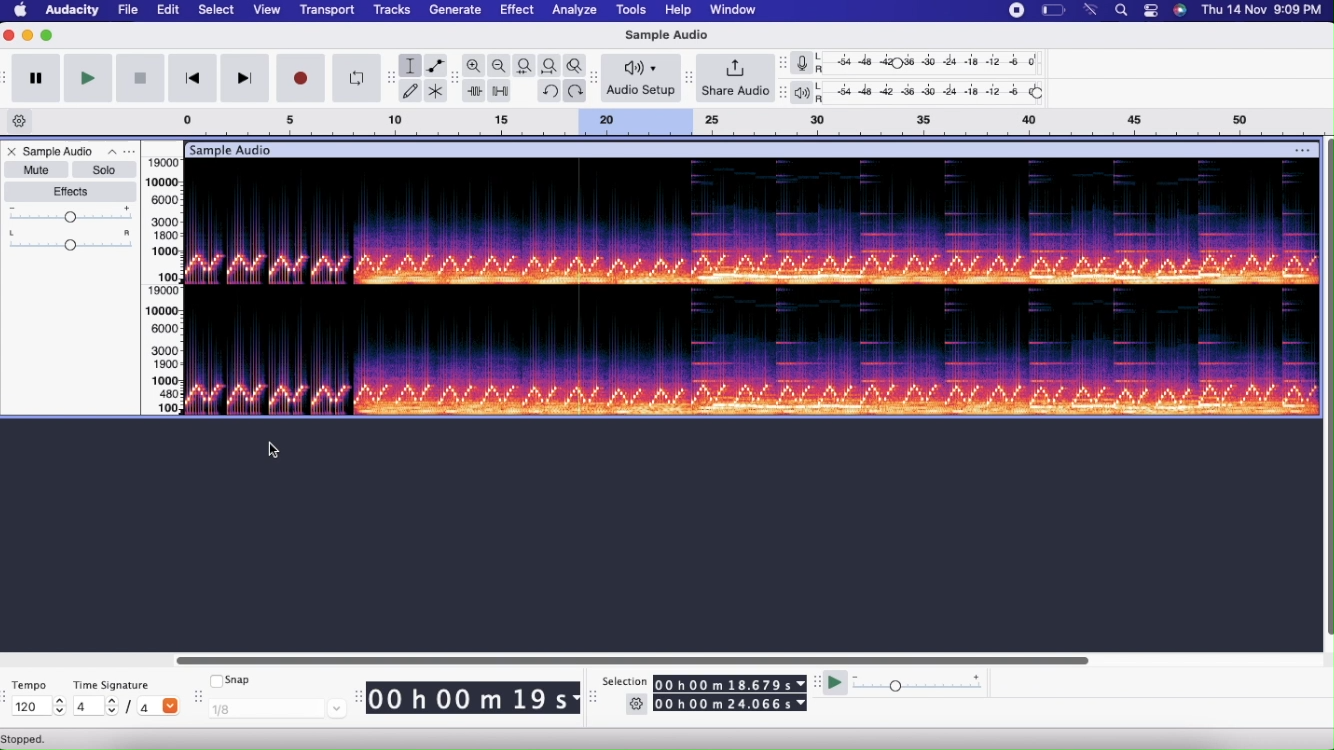 The width and height of the screenshot is (1334, 750). Describe the element at coordinates (410, 91) in the screenshot. I see `Draw tool` at that location.